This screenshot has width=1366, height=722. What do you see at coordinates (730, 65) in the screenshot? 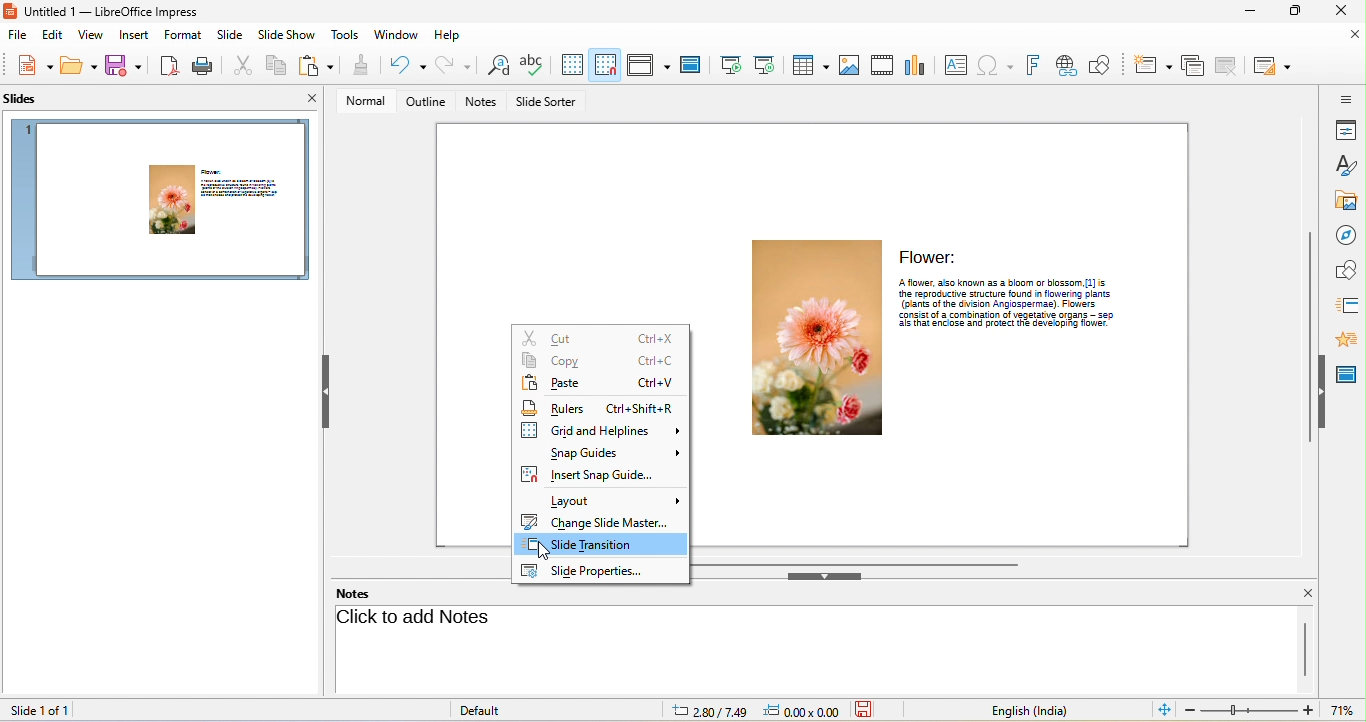
I see `start from first slide` at bounding box center [730, 65].